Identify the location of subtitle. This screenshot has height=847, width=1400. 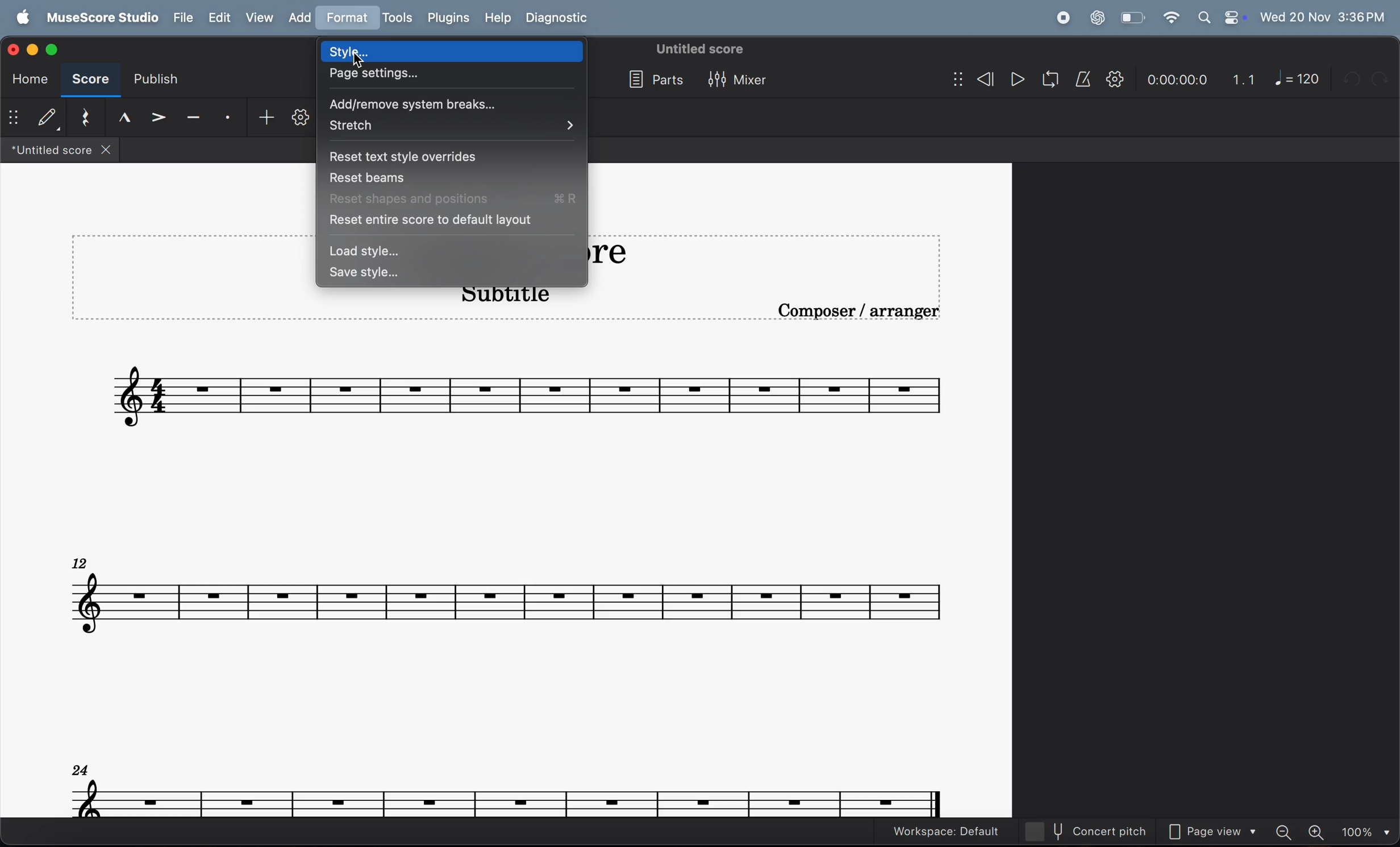
(500, 299).